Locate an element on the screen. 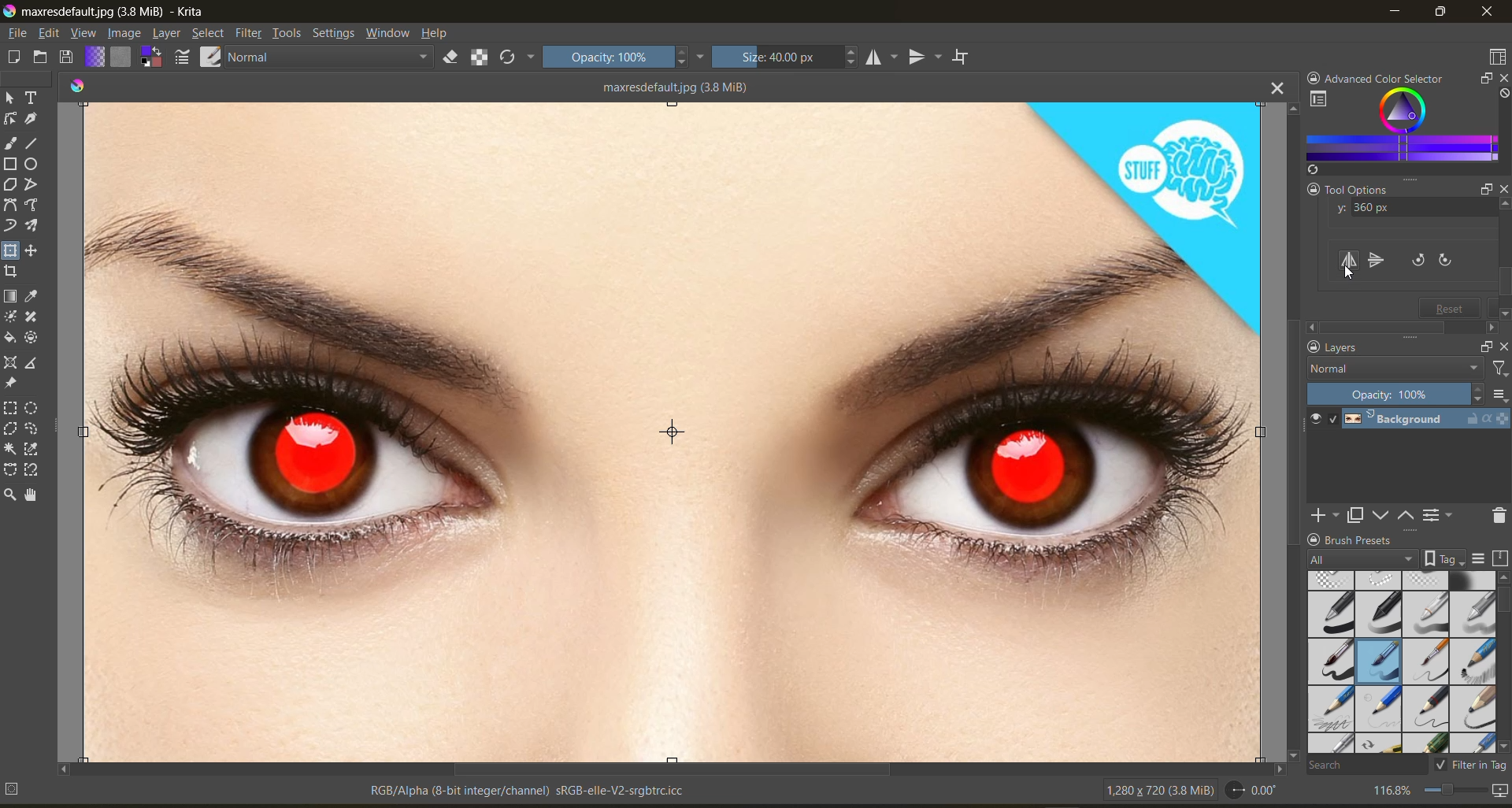 The height and width of the screenshot is (808, 1512). map the canvas is located at coordinates (1498, 790).